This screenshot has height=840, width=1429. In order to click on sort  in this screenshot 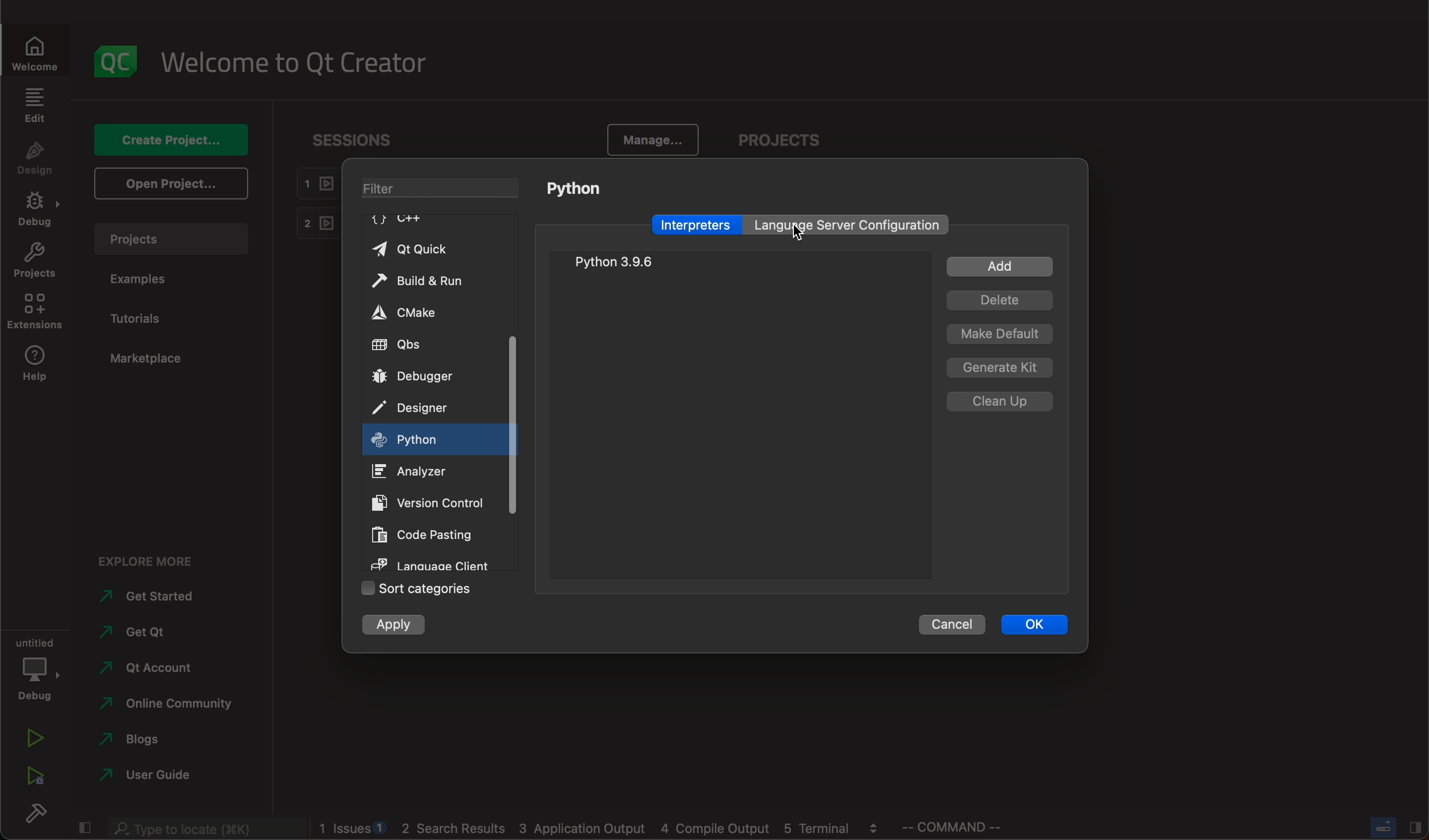, I will do `click(418, 588)`.